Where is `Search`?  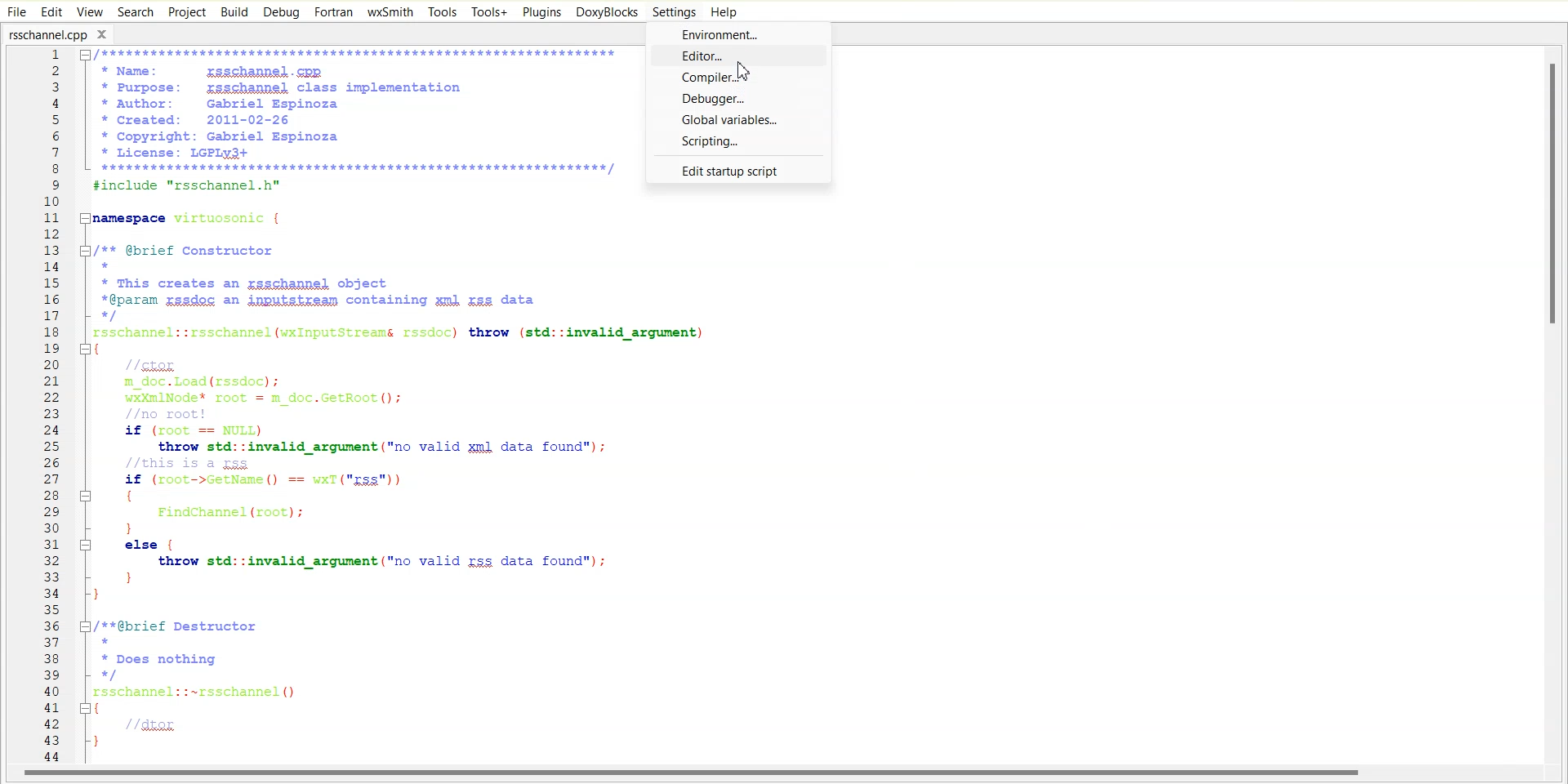
Search is located at coordinates (136, 11).